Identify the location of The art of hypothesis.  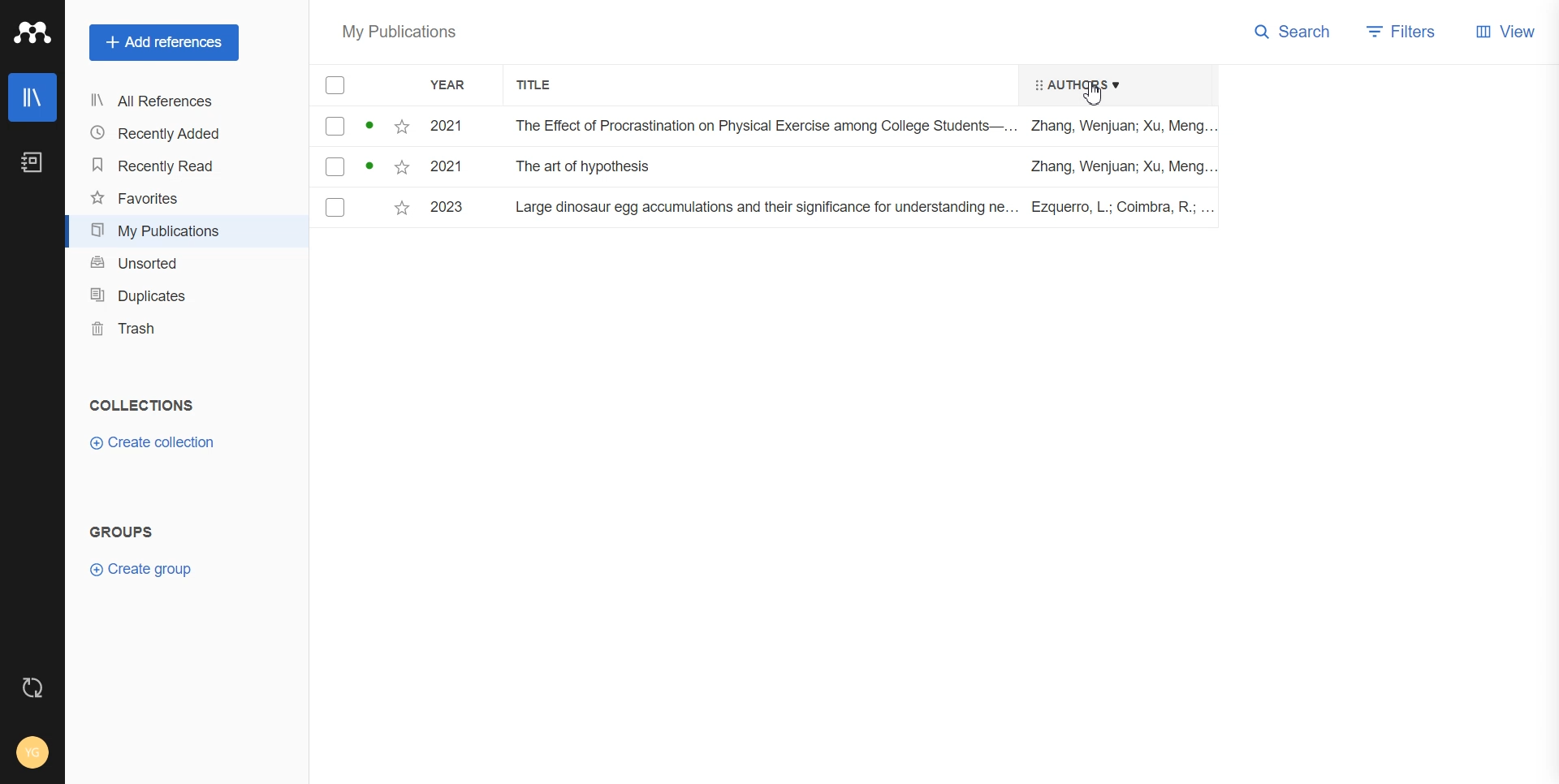
(589, 166).